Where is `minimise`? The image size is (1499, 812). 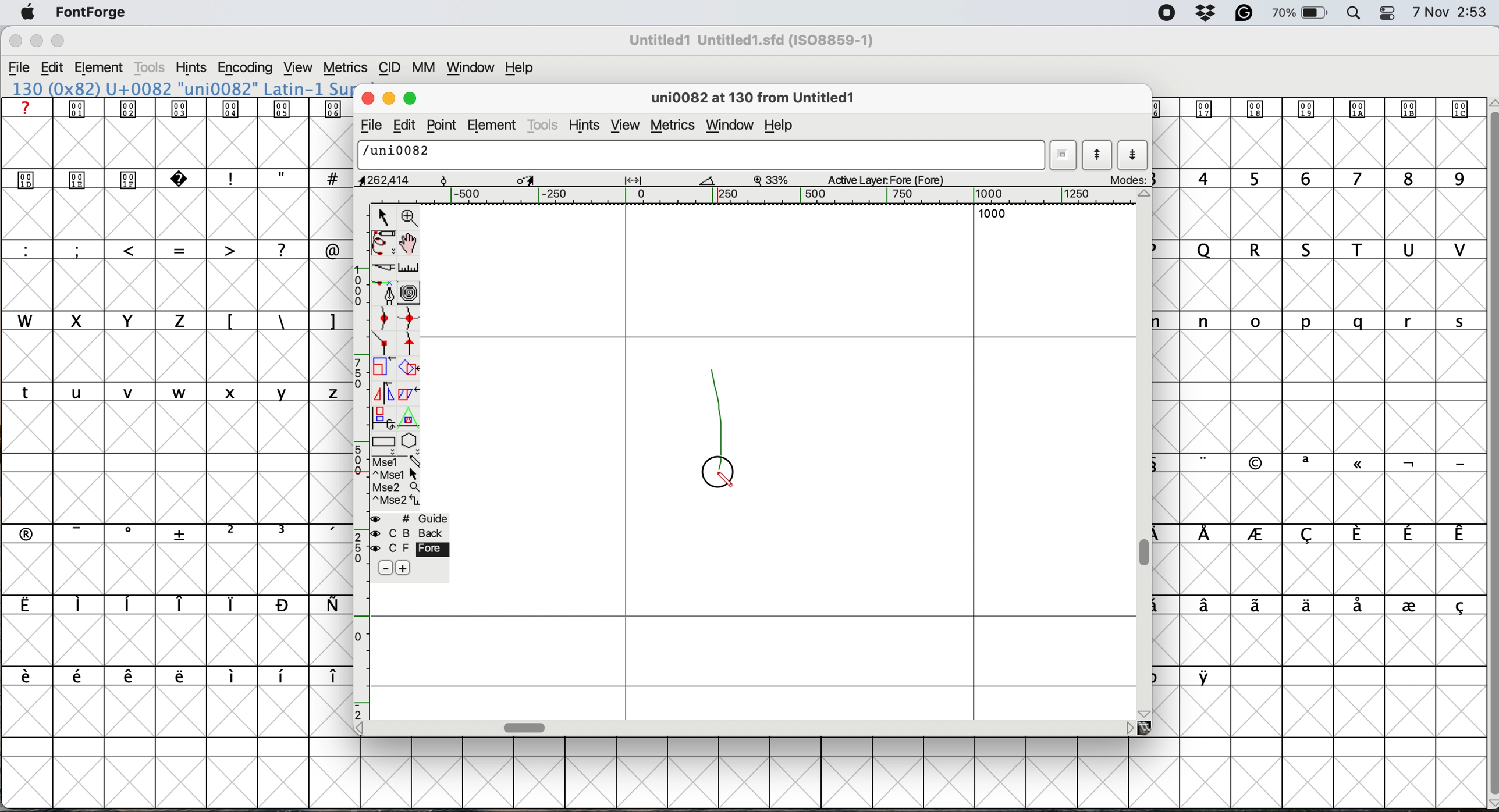
minimise is located at coordinates (33, 43).